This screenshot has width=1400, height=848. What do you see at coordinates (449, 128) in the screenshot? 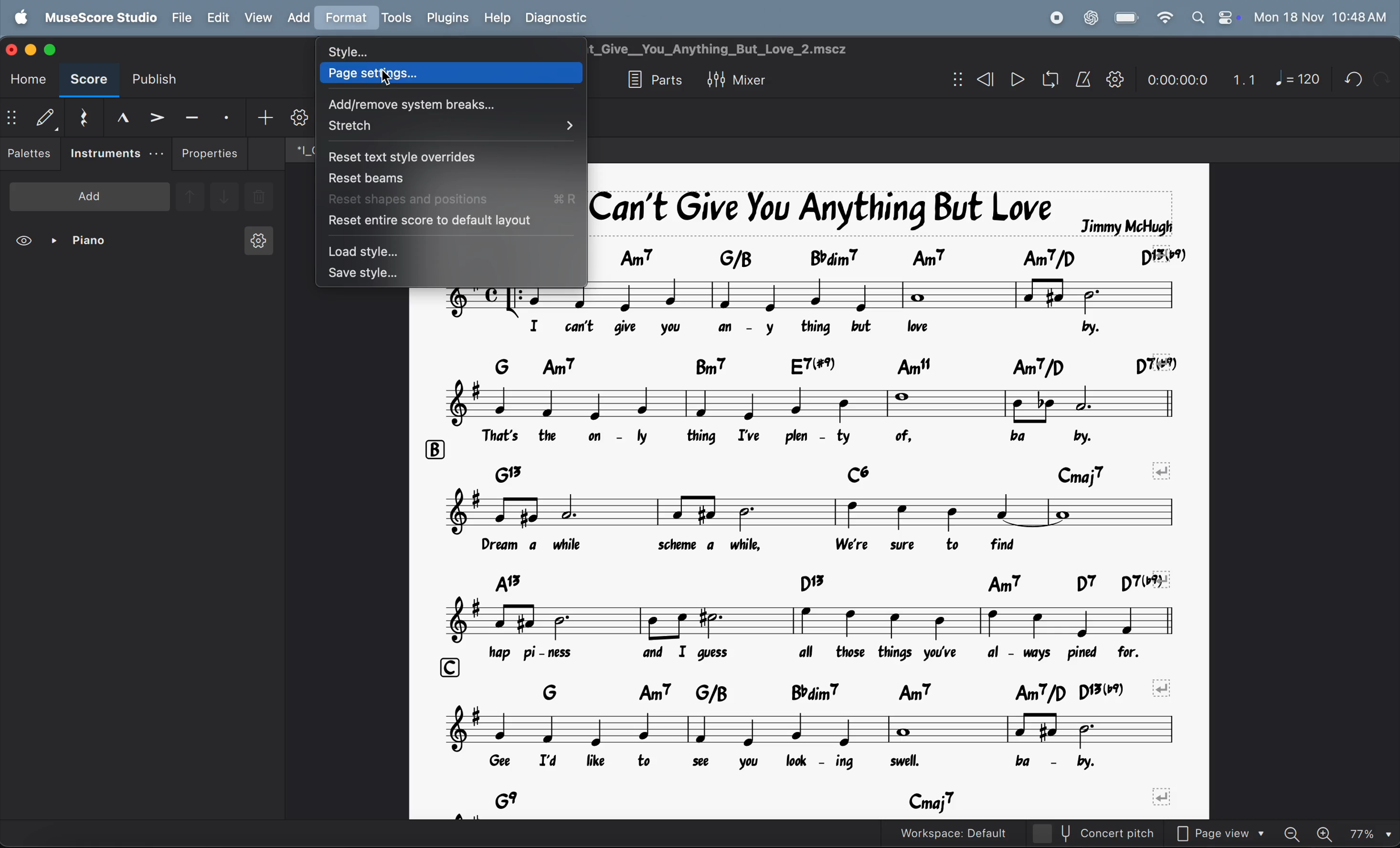
I see `search` at bounding box center [449, 128].